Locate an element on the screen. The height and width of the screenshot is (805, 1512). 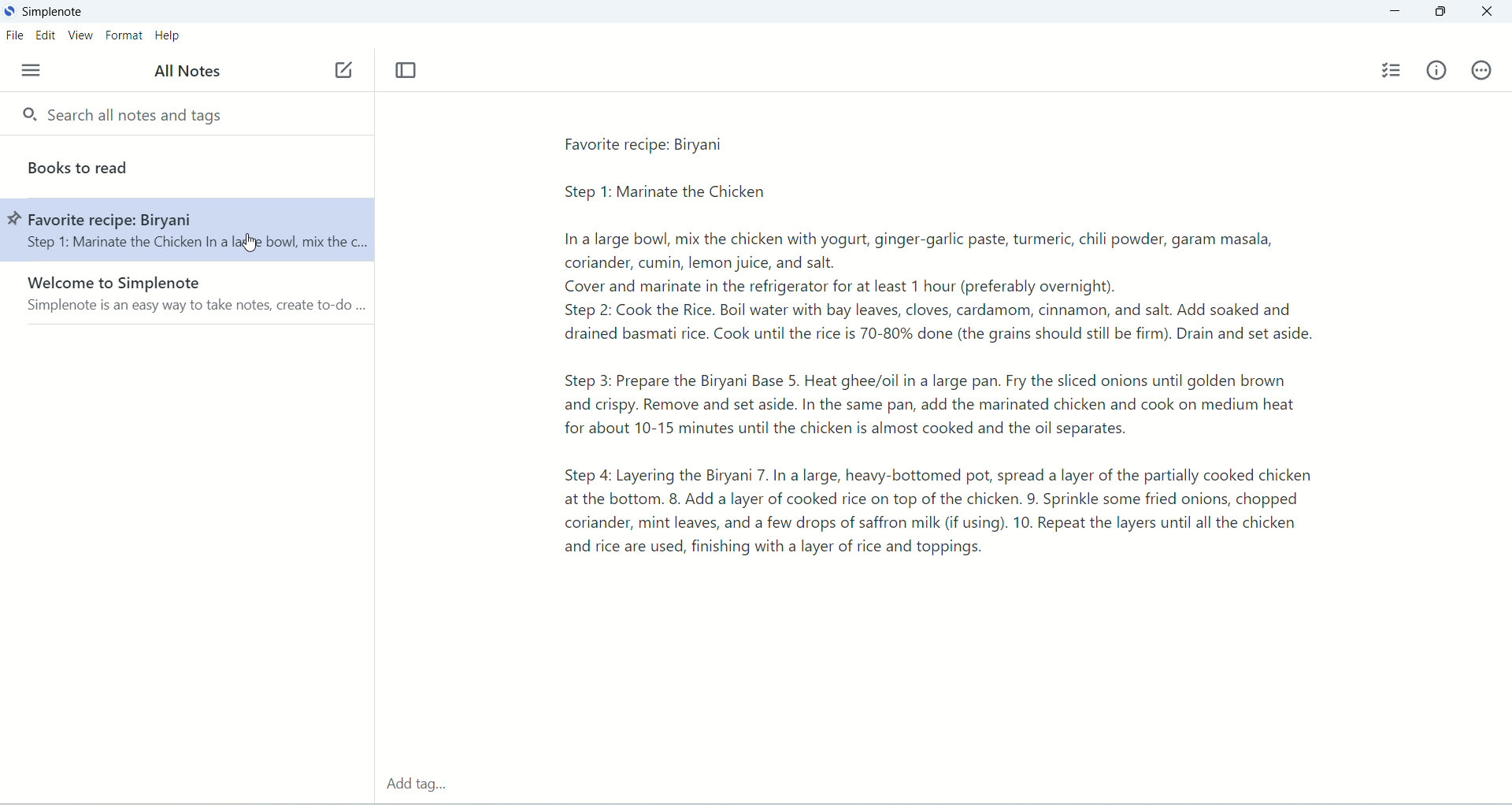
logo is located at coordinates (9, 9).